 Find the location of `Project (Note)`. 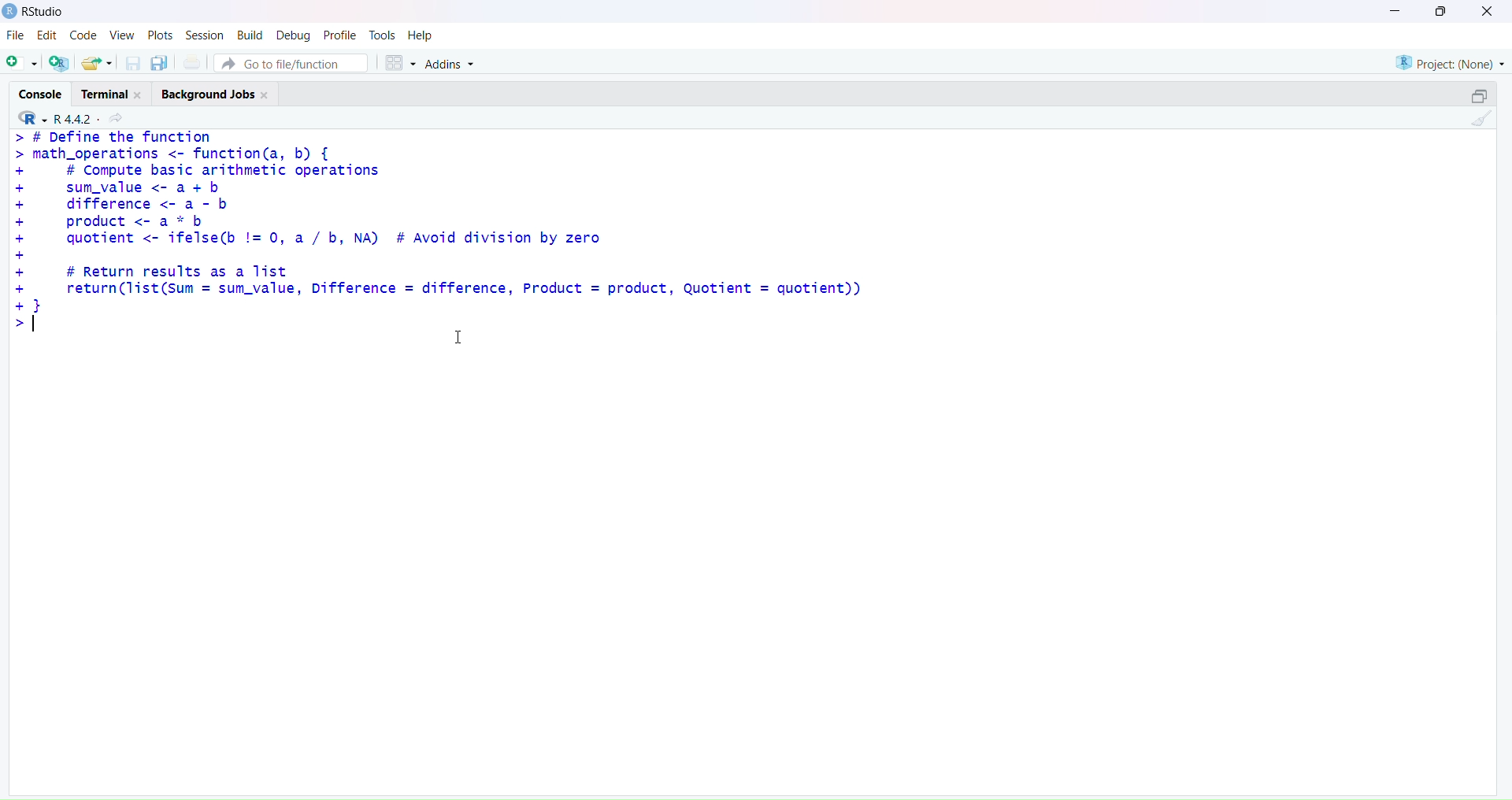

Project (Note) is located at coordinates (1449, 61).